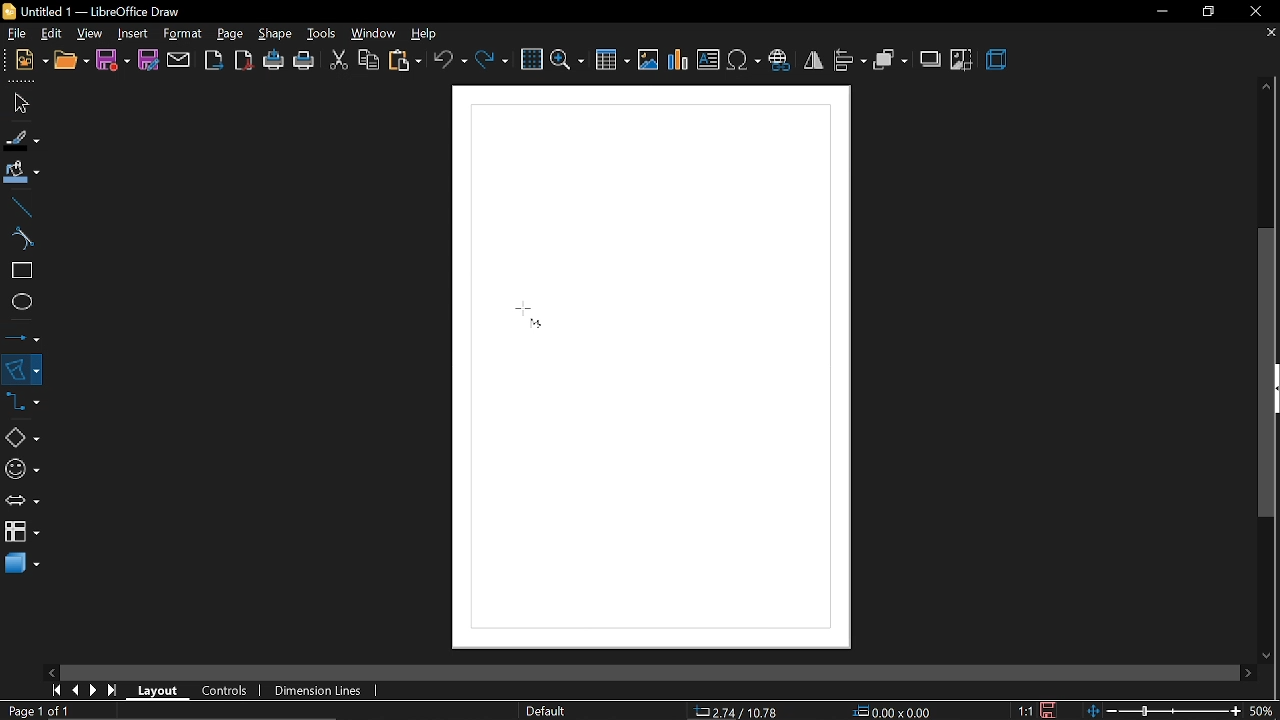  I want to click on minimize, so click(1162, 12).